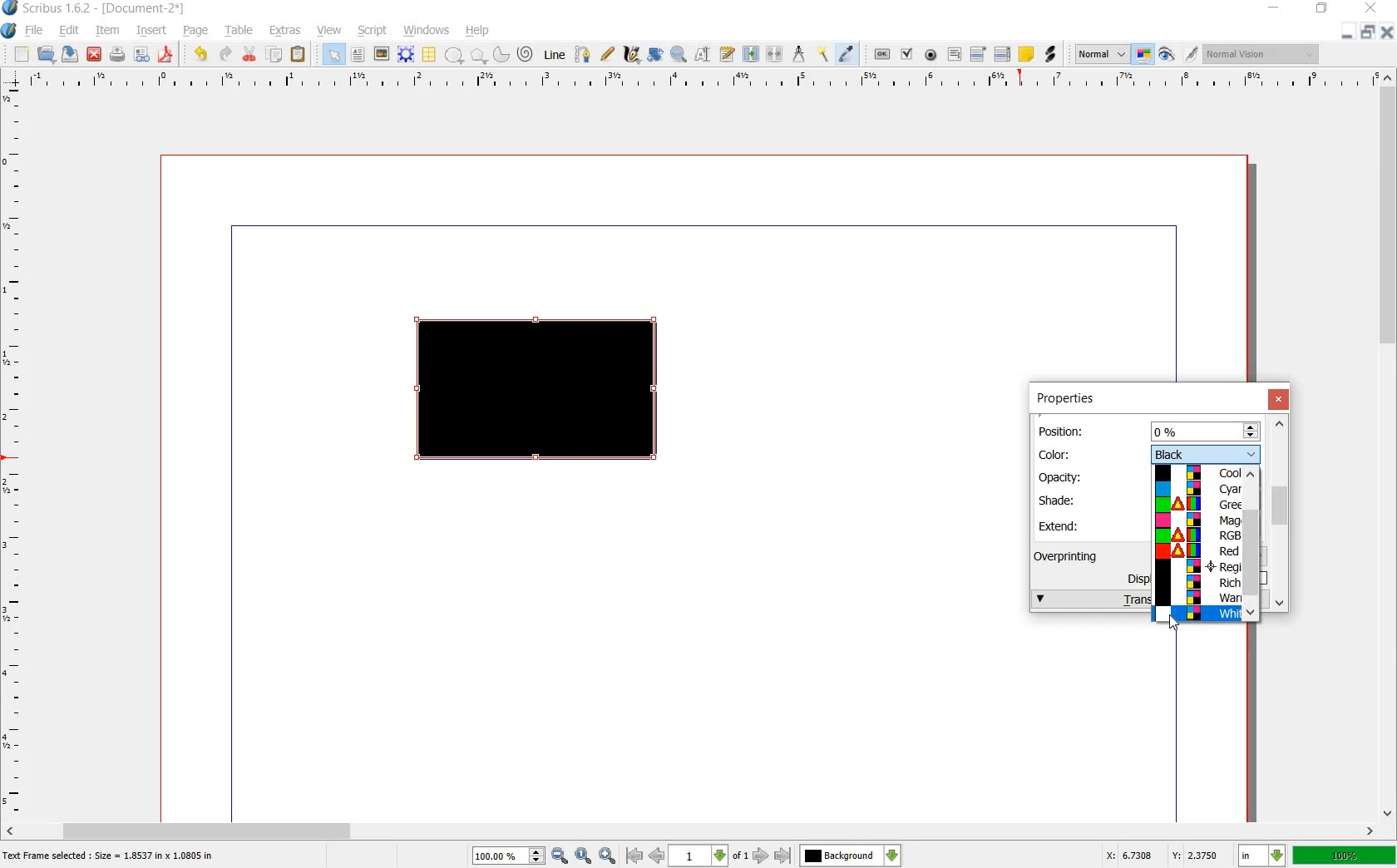 The image size is (1397, 868). What do you see at coordinates (333, 54) in the screenshot?
I see `select item` at bounding box center [333, 54].